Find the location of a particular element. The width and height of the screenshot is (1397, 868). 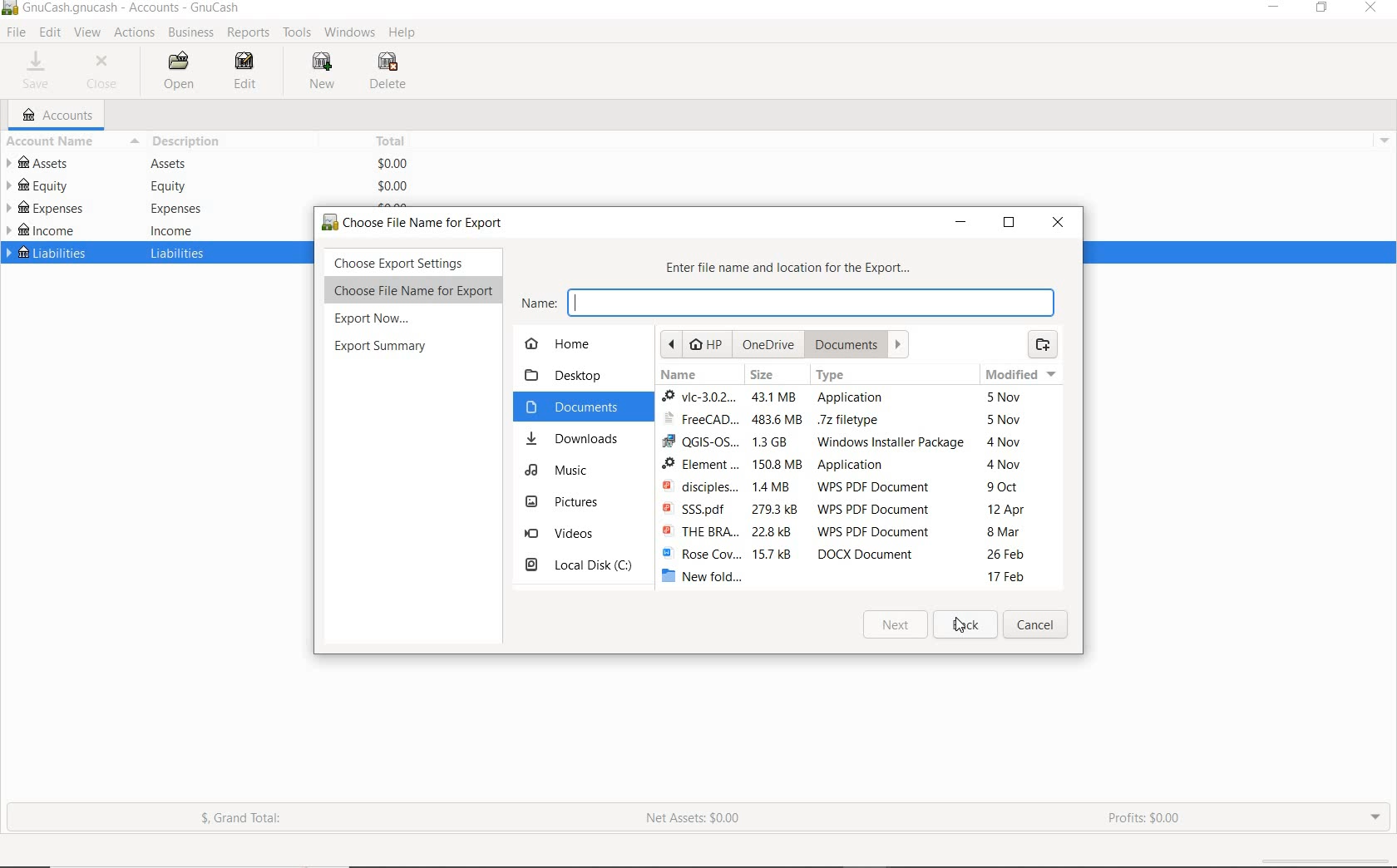

SAVE is located at coordinates (40, 71).